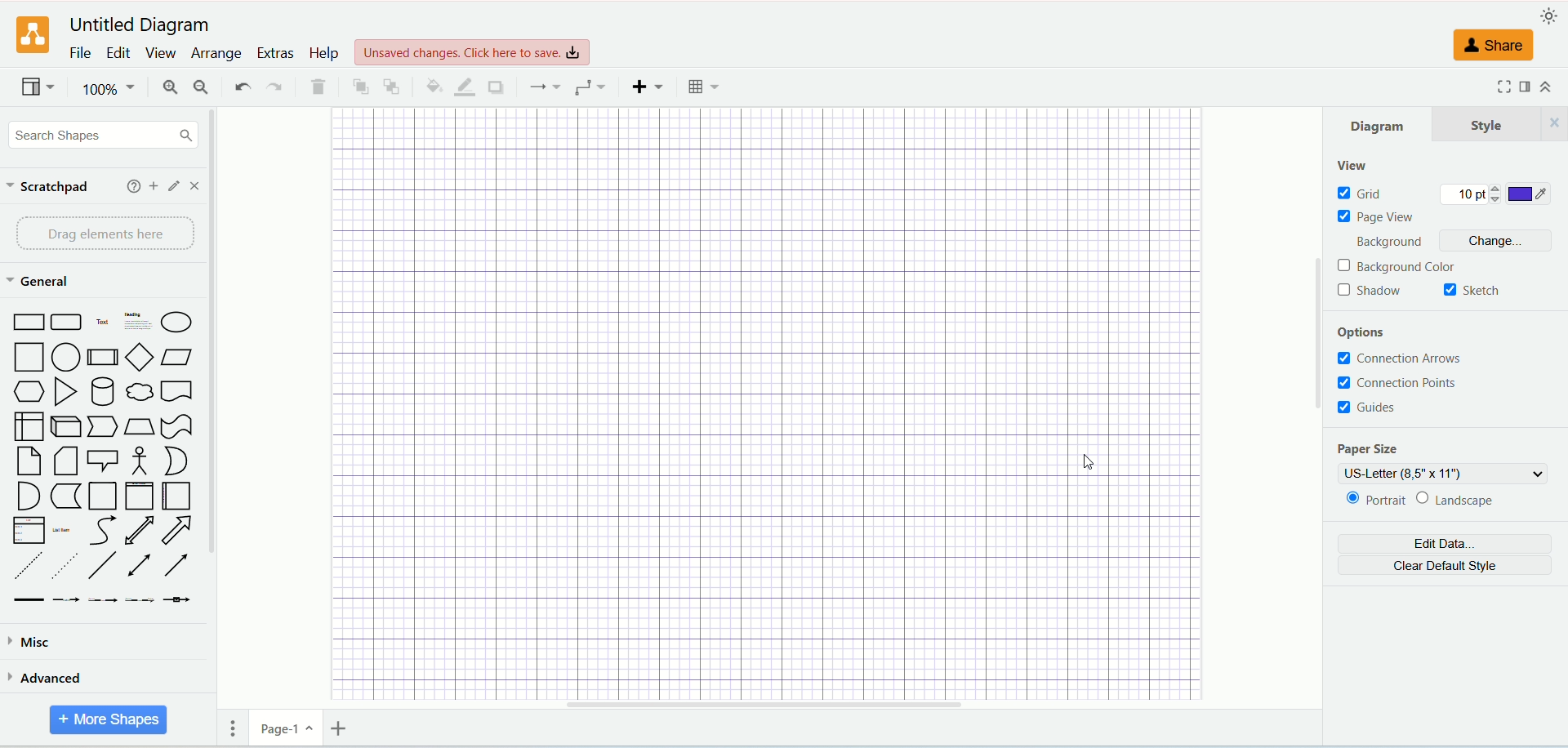 The width and height of the screenshot is (1568, 748). What do you see at coordinates (1374, 501) in the screenshot?
I see `portrait` at bounding box center [1374, 501].